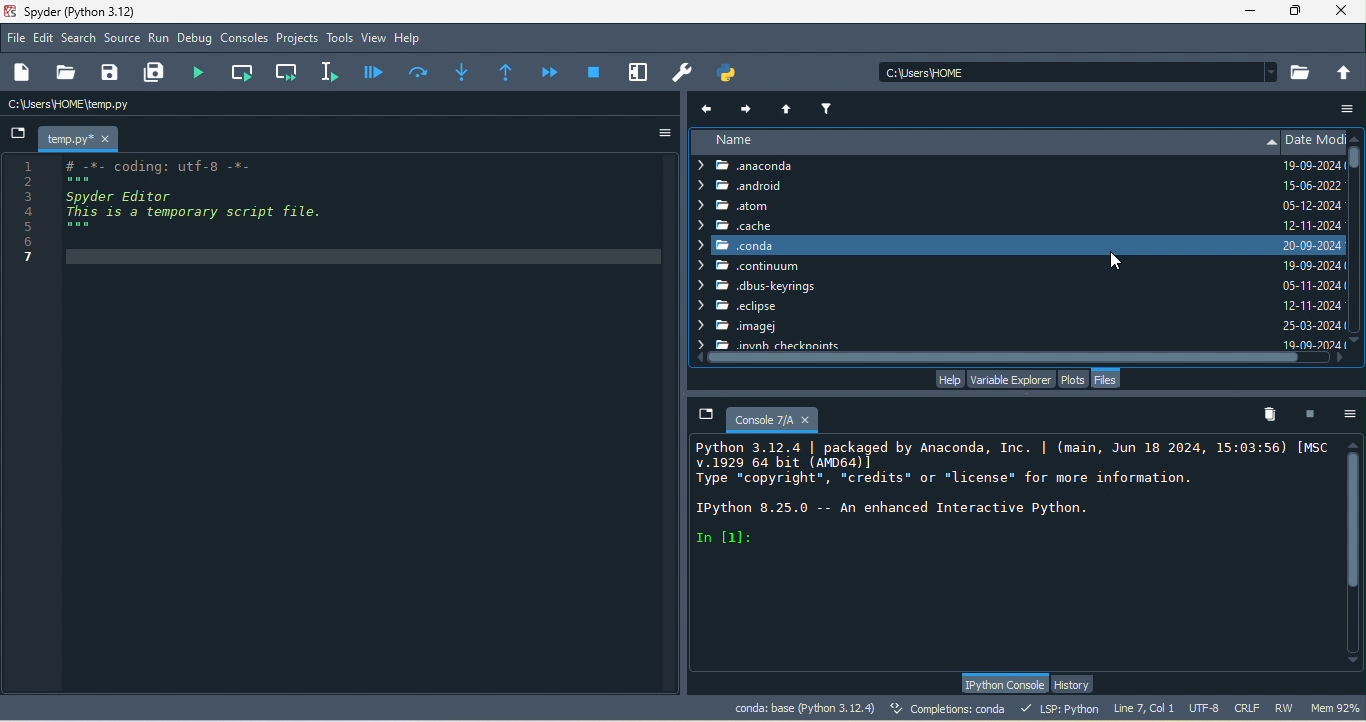 The image size is (1366, 722). What do you see at coordinates (412, 39) in the screenshot?
I see `help` at bounding box center [412, 39].